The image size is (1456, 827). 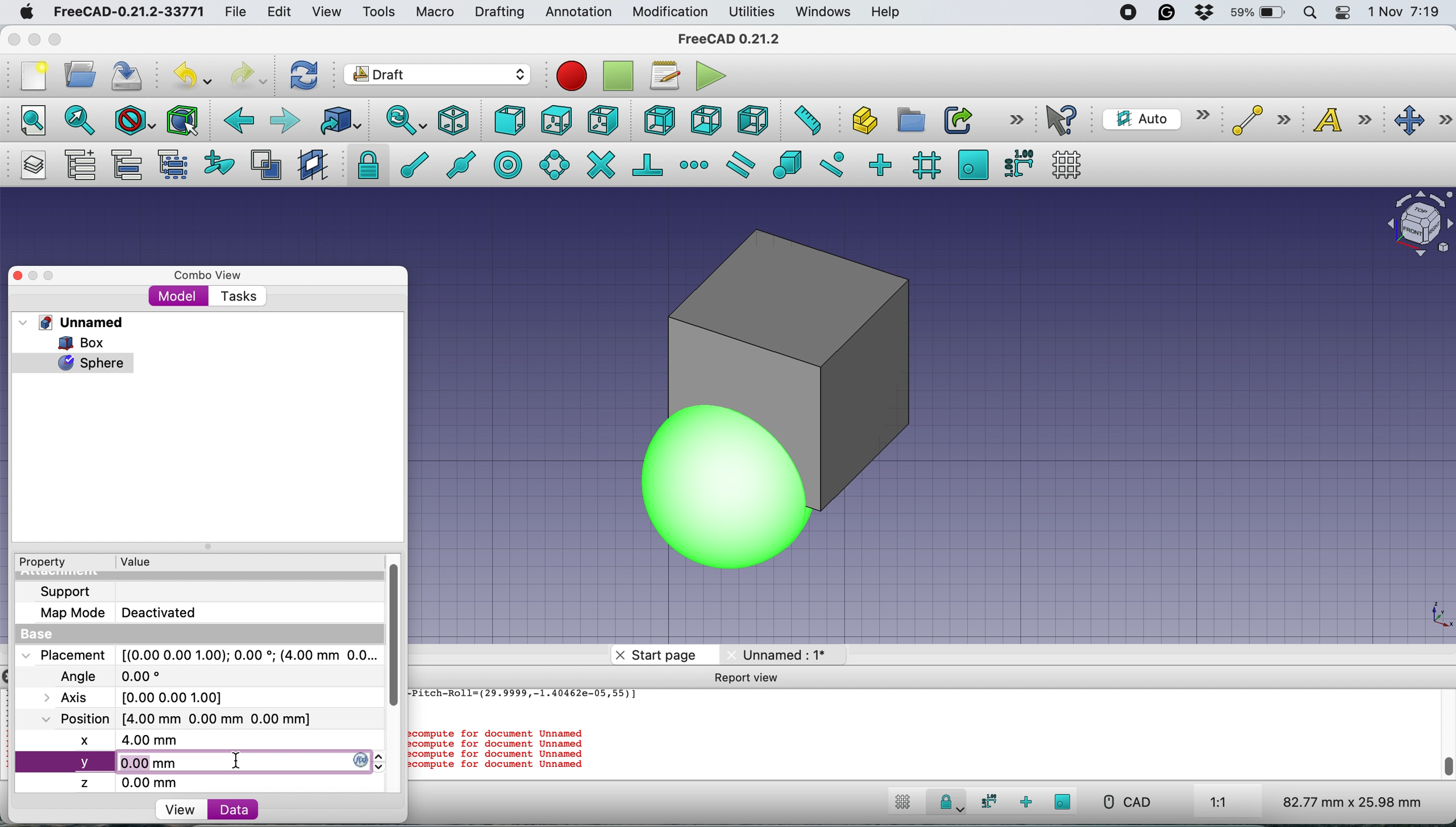 I want to click on scroll bar, so click(x=1445, y=747).